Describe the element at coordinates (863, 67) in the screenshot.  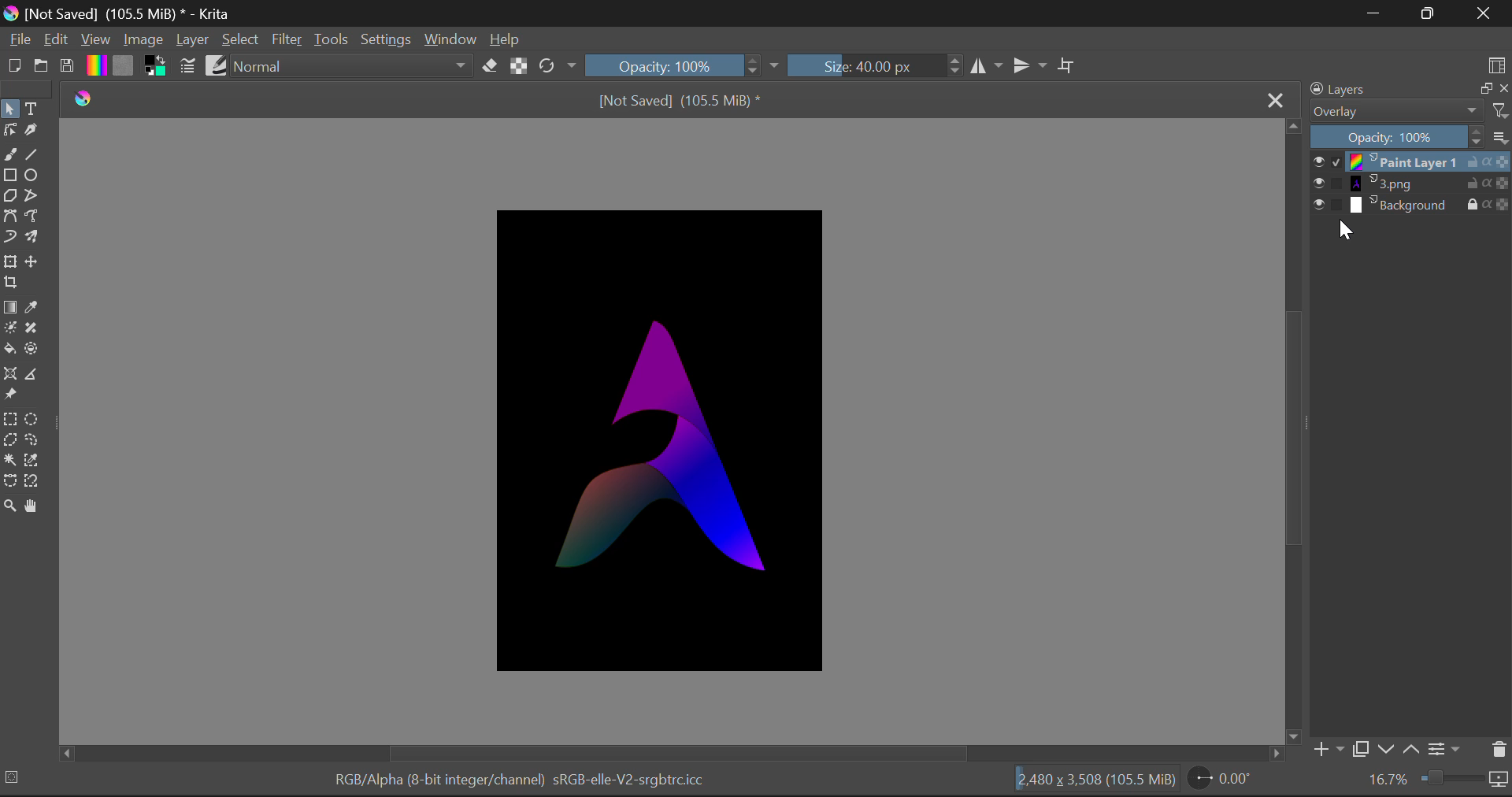
I see `Brush Size` at that location.